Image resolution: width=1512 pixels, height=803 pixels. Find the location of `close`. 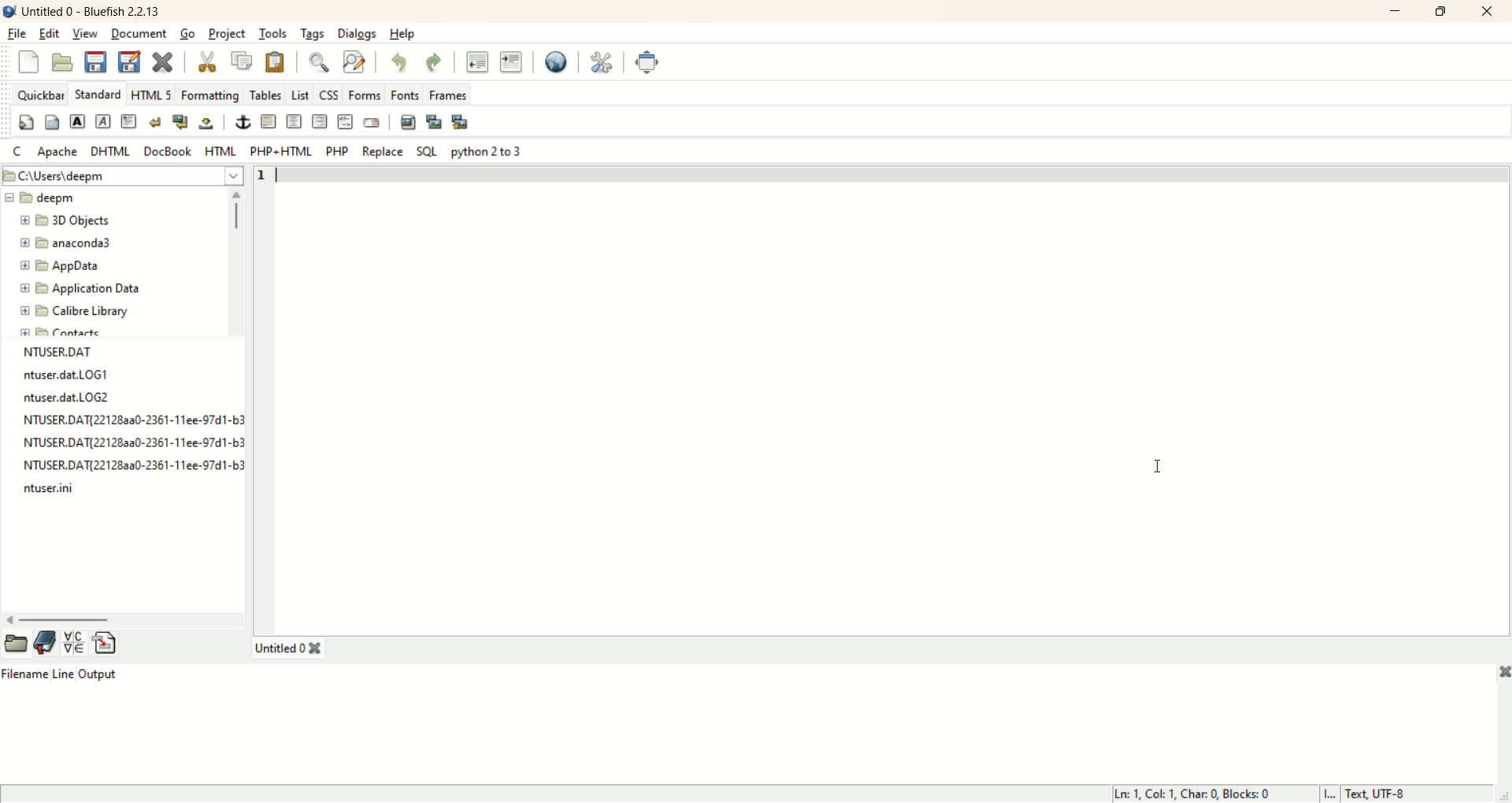

close is located at coordinates (1488, 12).